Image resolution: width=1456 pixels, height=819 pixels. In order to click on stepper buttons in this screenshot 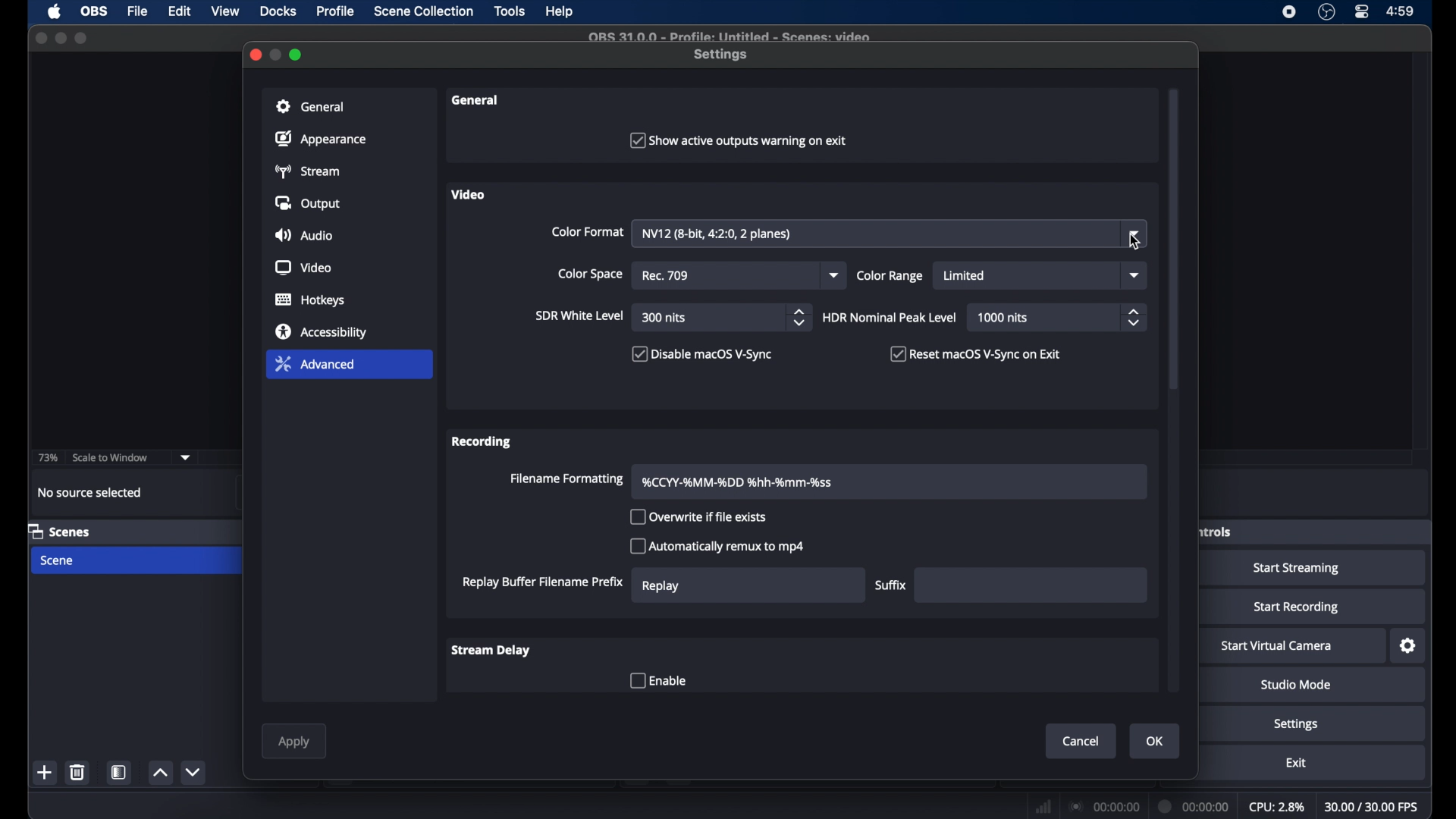, I will do `click(1134, 317)`.